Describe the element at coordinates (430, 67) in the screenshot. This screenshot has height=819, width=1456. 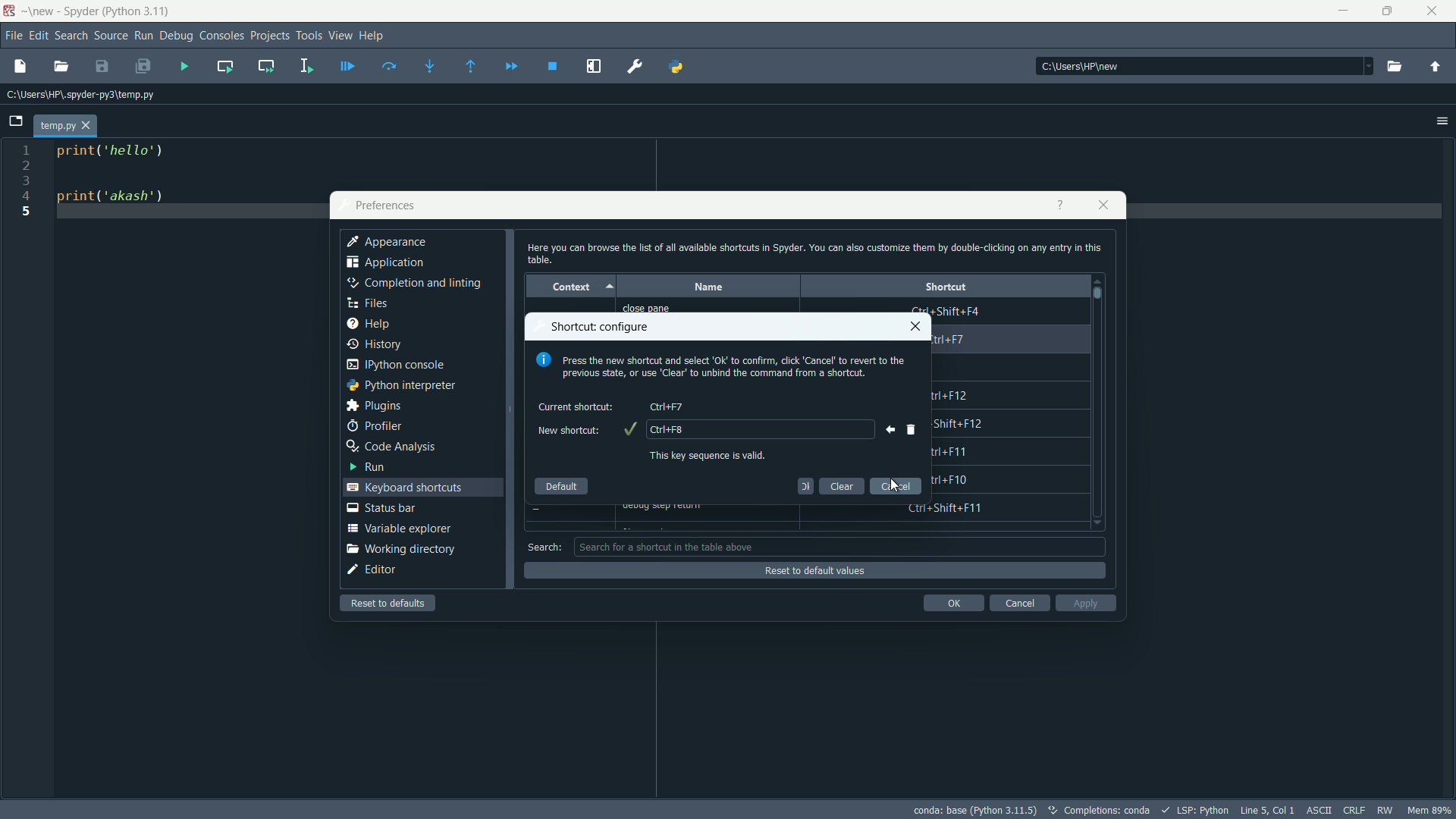
I see `step into function` at that location.